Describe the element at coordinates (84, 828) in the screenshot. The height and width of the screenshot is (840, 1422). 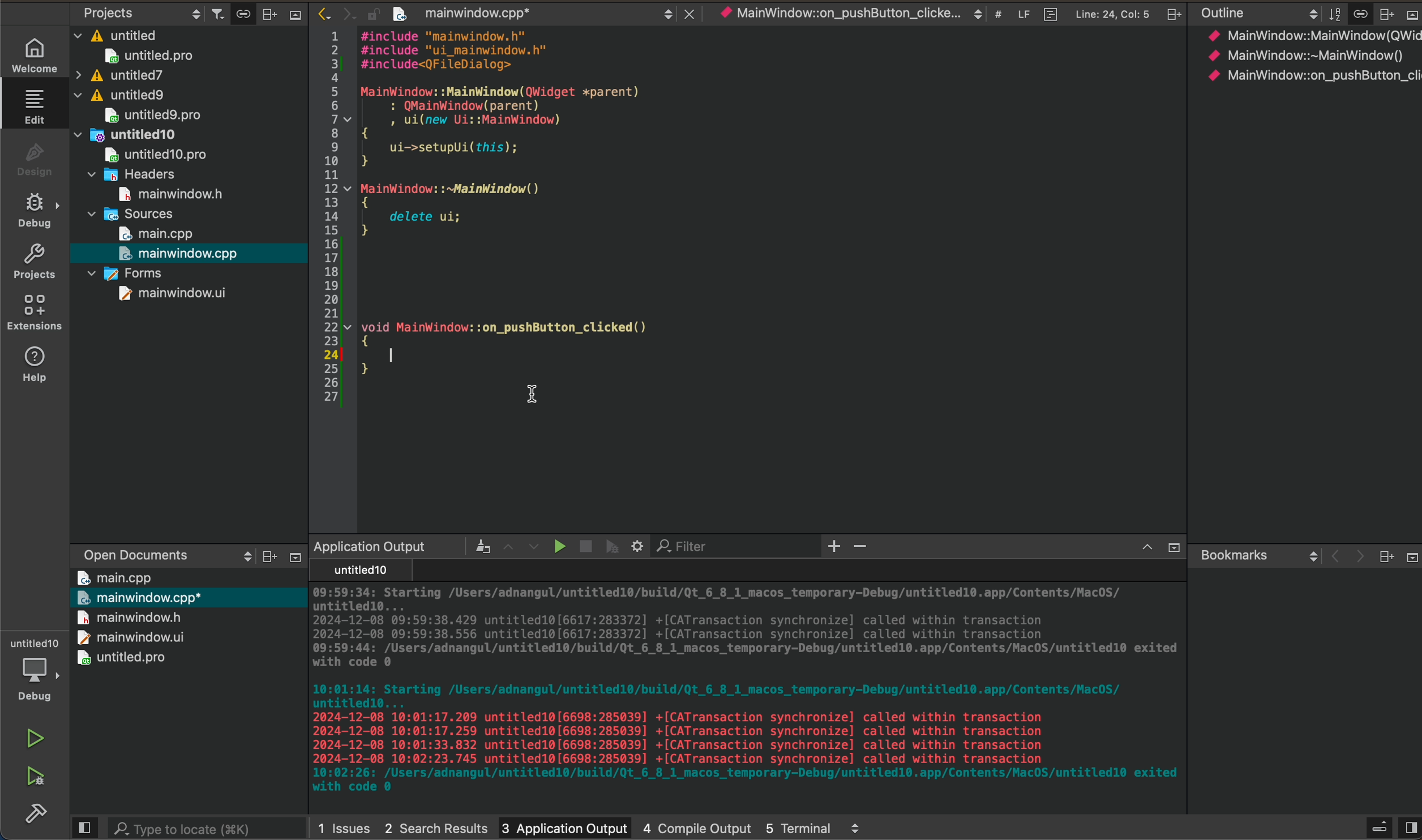
I see `split` at that location.